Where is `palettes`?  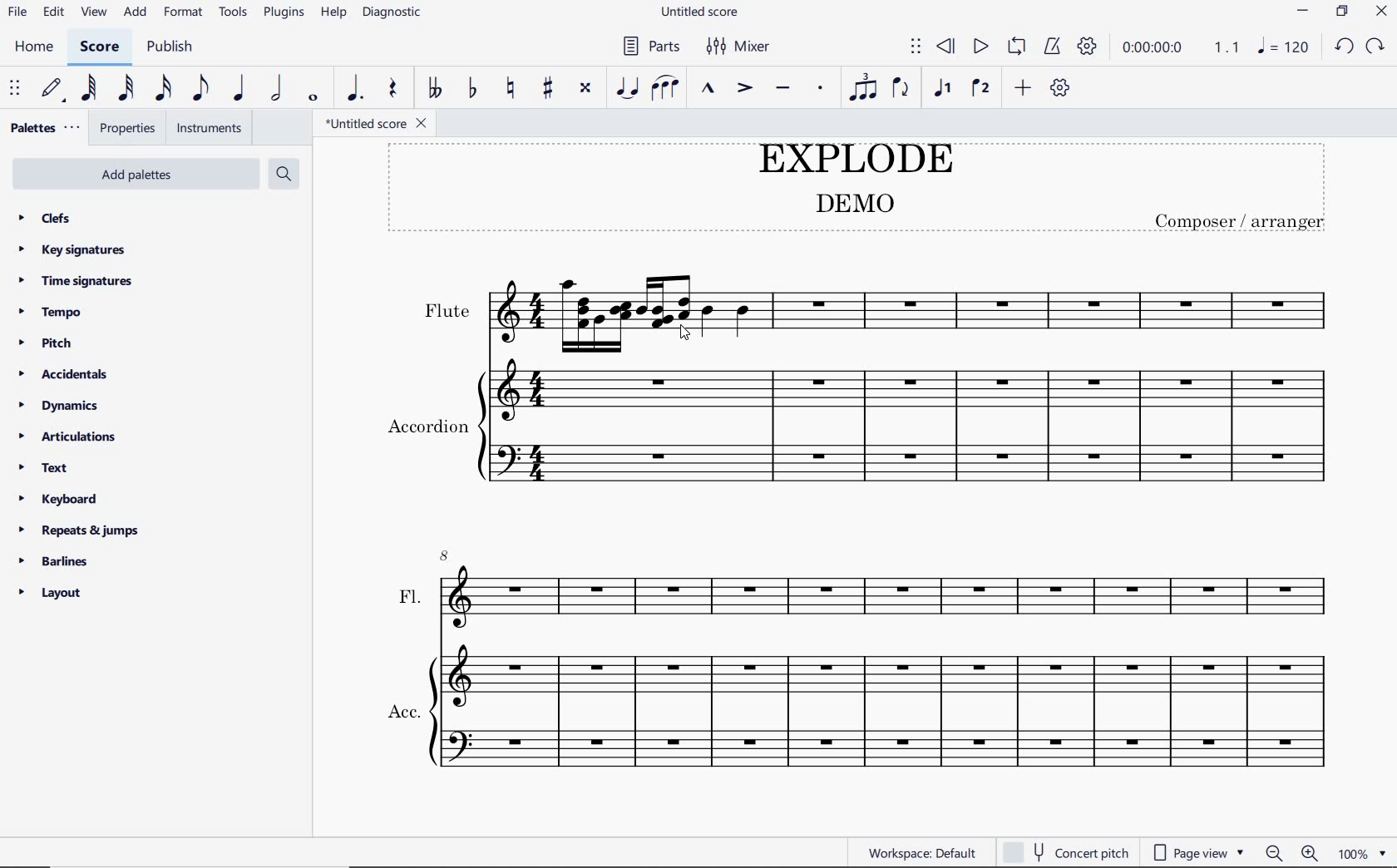
palettes is located at coordinates (42, 126).